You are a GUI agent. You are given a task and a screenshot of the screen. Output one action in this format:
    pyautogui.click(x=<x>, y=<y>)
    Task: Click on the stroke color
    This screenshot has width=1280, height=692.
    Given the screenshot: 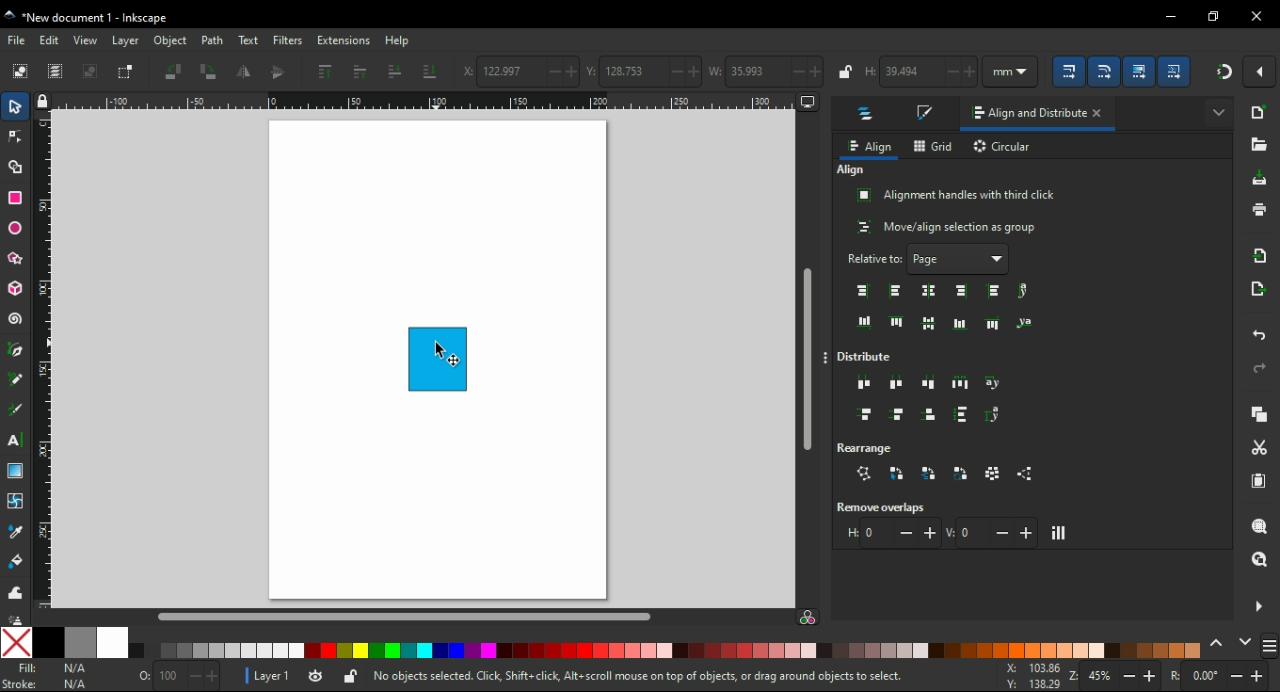 What is the action you would take?
    pyautogui.click(x=46, y=684)
    